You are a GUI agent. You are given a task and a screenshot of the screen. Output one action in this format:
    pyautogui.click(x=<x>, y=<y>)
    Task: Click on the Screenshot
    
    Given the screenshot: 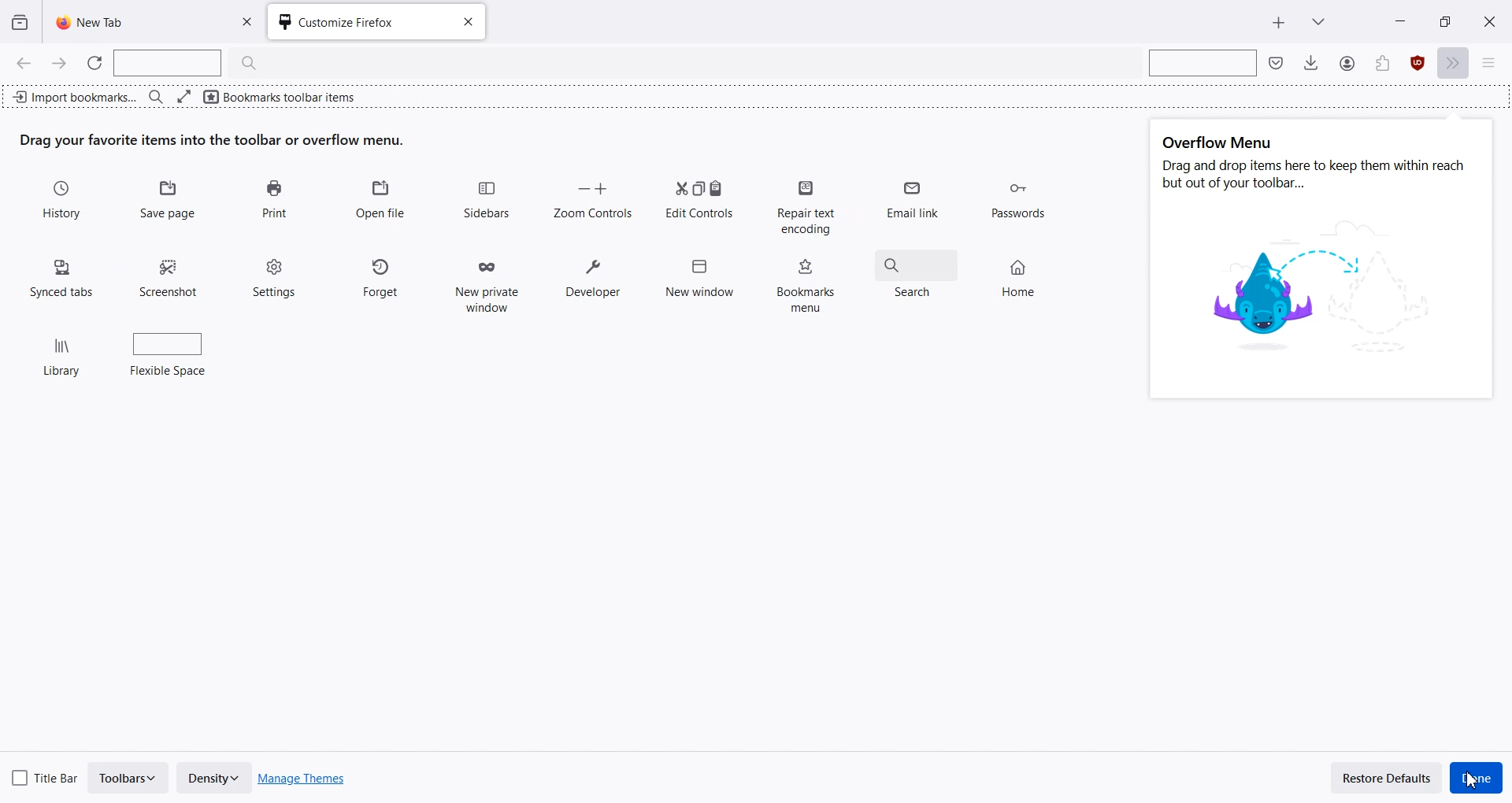 What is the action you would take?
    pyautogui.click(x=171, y=273)
    